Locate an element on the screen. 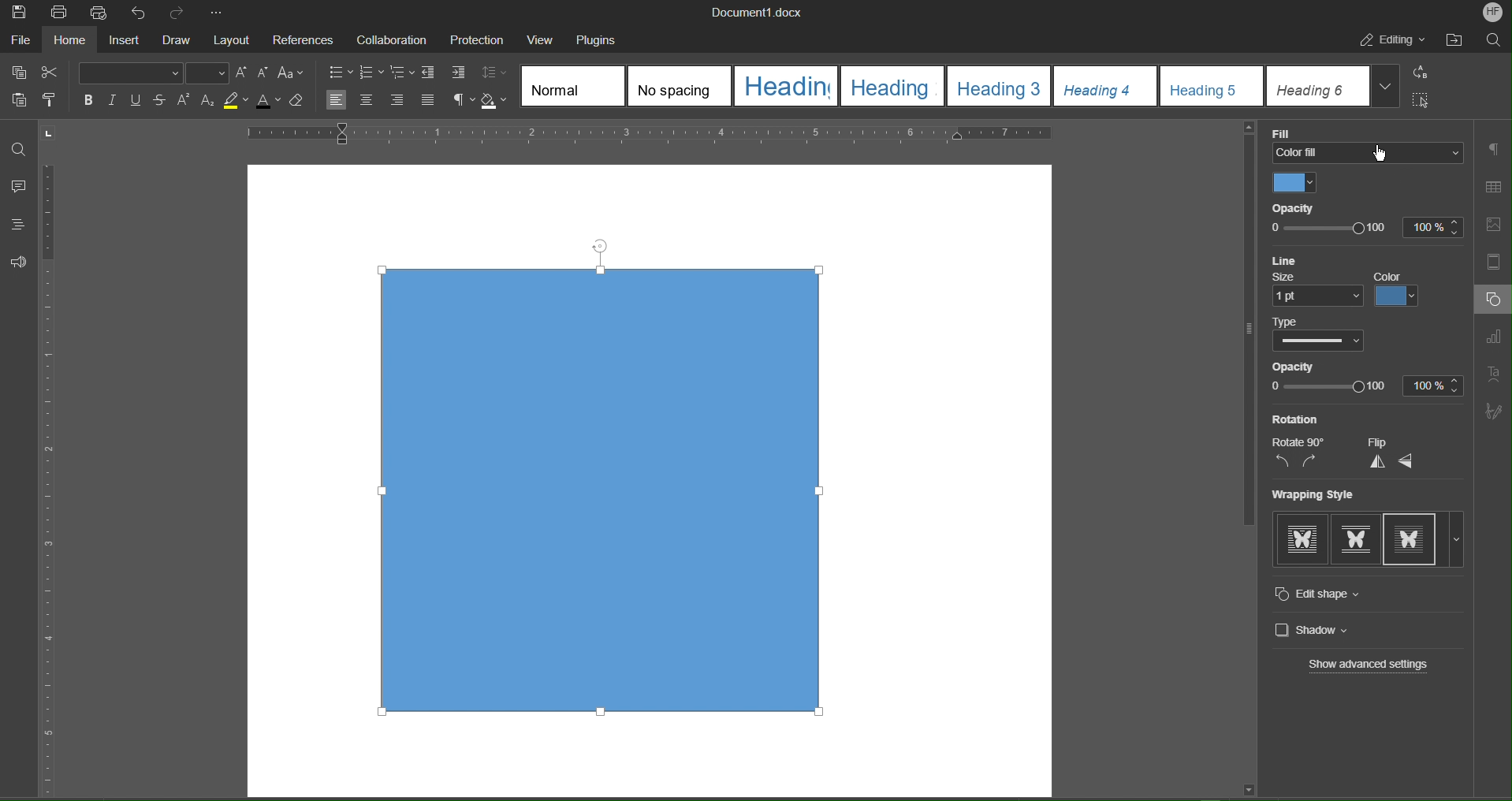 The image size is (1512, 801). Strikethrough is located at coordinates (162, 101).